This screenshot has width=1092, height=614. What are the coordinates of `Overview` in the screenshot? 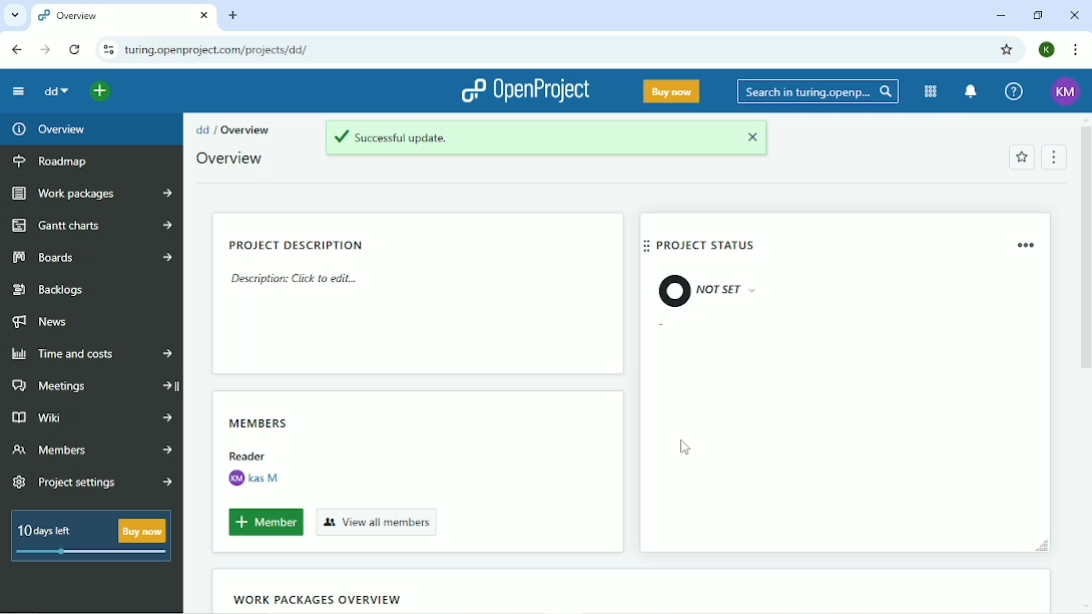 It's located at (249, 130).